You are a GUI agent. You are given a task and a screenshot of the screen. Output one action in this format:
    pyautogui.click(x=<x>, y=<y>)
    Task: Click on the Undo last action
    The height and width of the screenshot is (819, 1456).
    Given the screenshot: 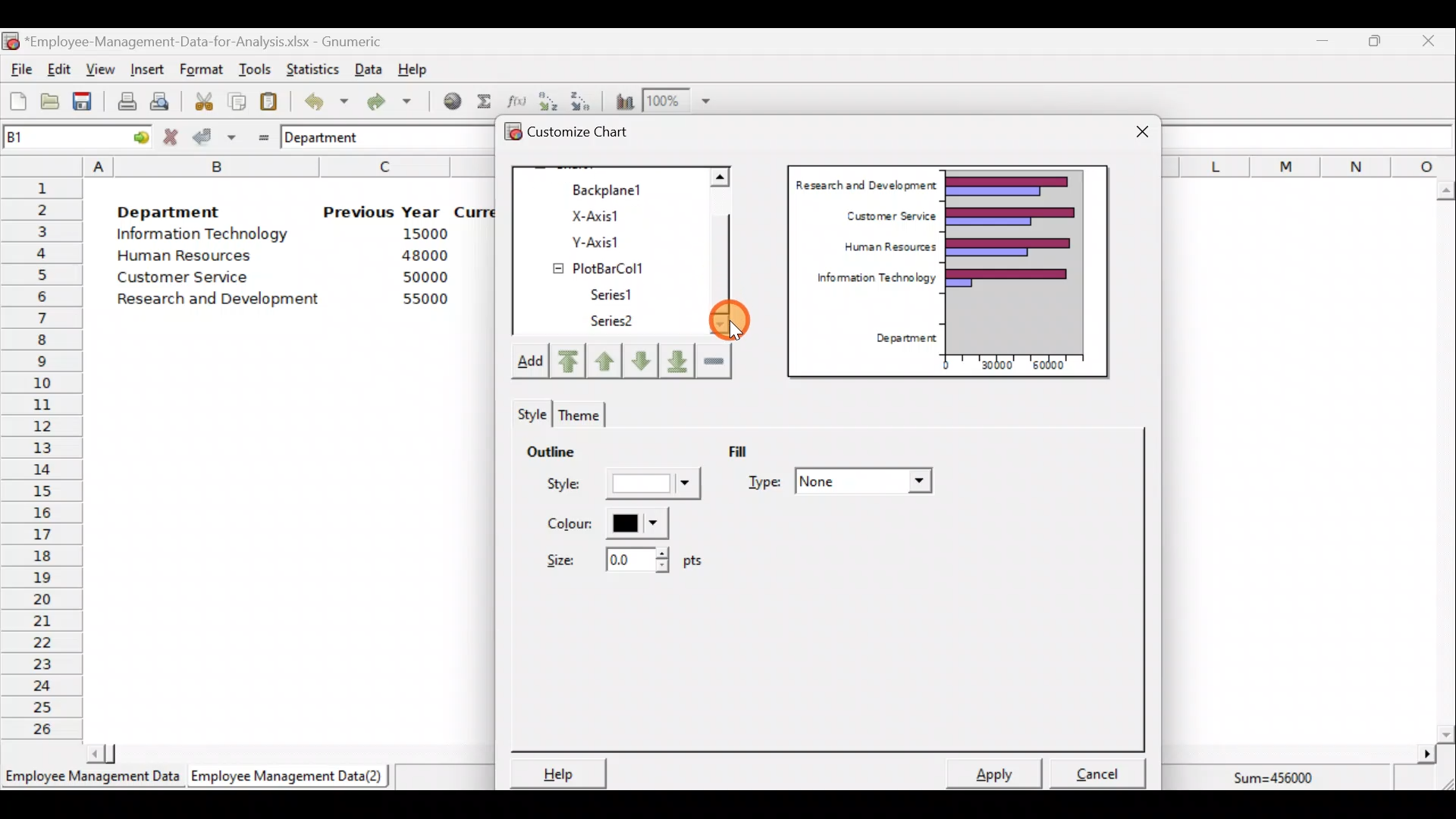 What is the action you would take?
    pyautogui.click(x=318, y=98)
    